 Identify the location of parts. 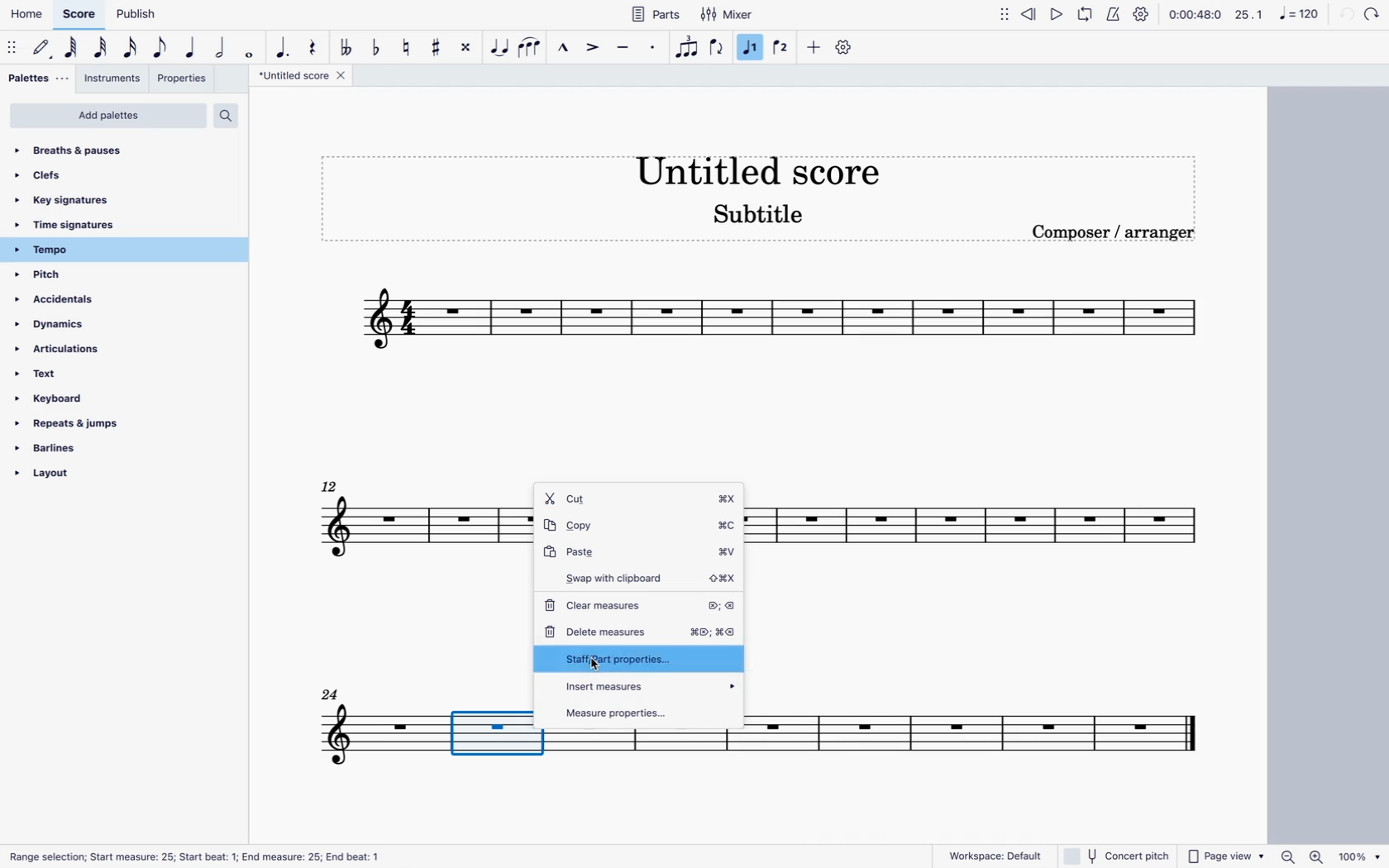
(655, 13).